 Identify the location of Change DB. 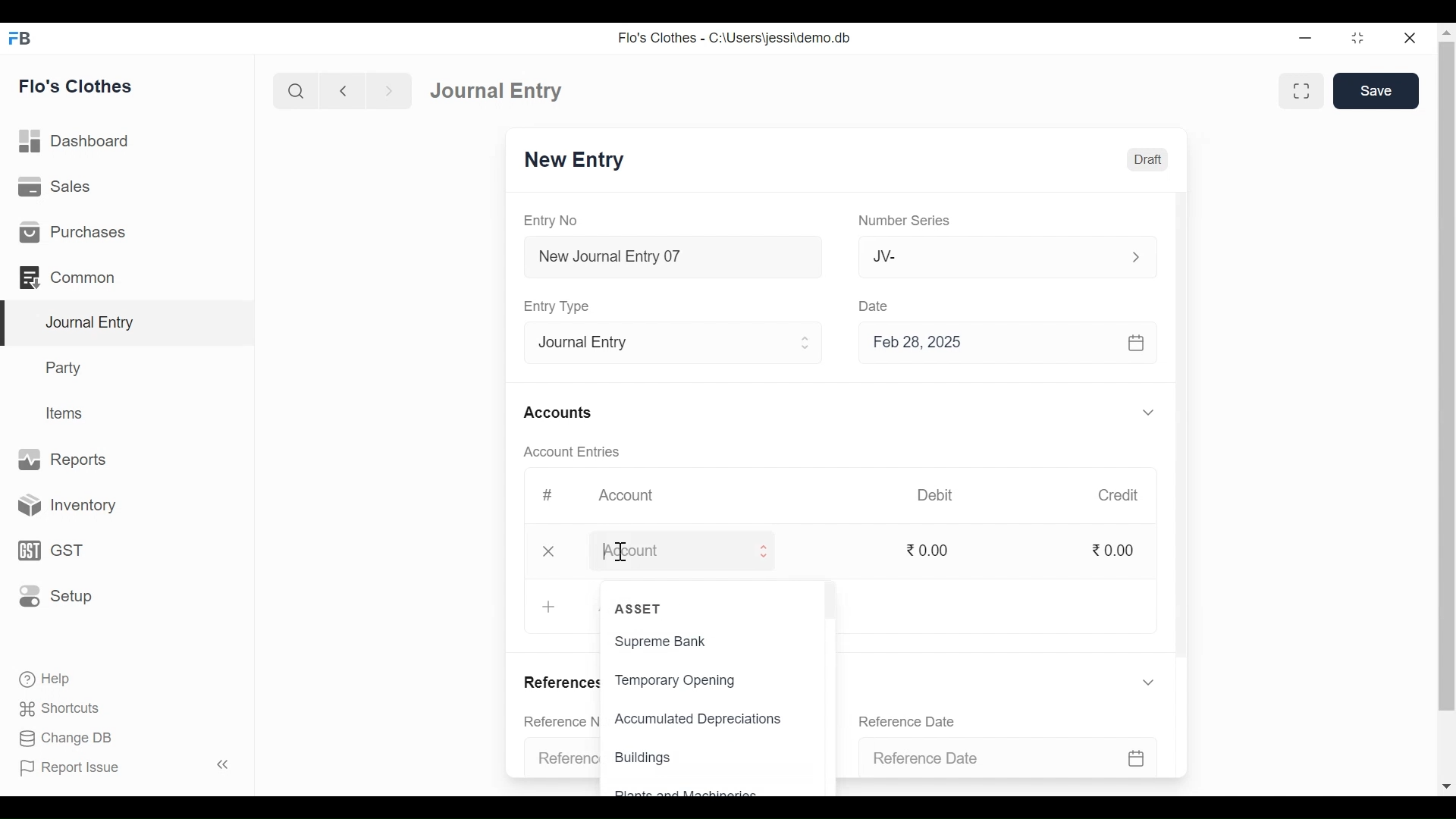
(64, 736).